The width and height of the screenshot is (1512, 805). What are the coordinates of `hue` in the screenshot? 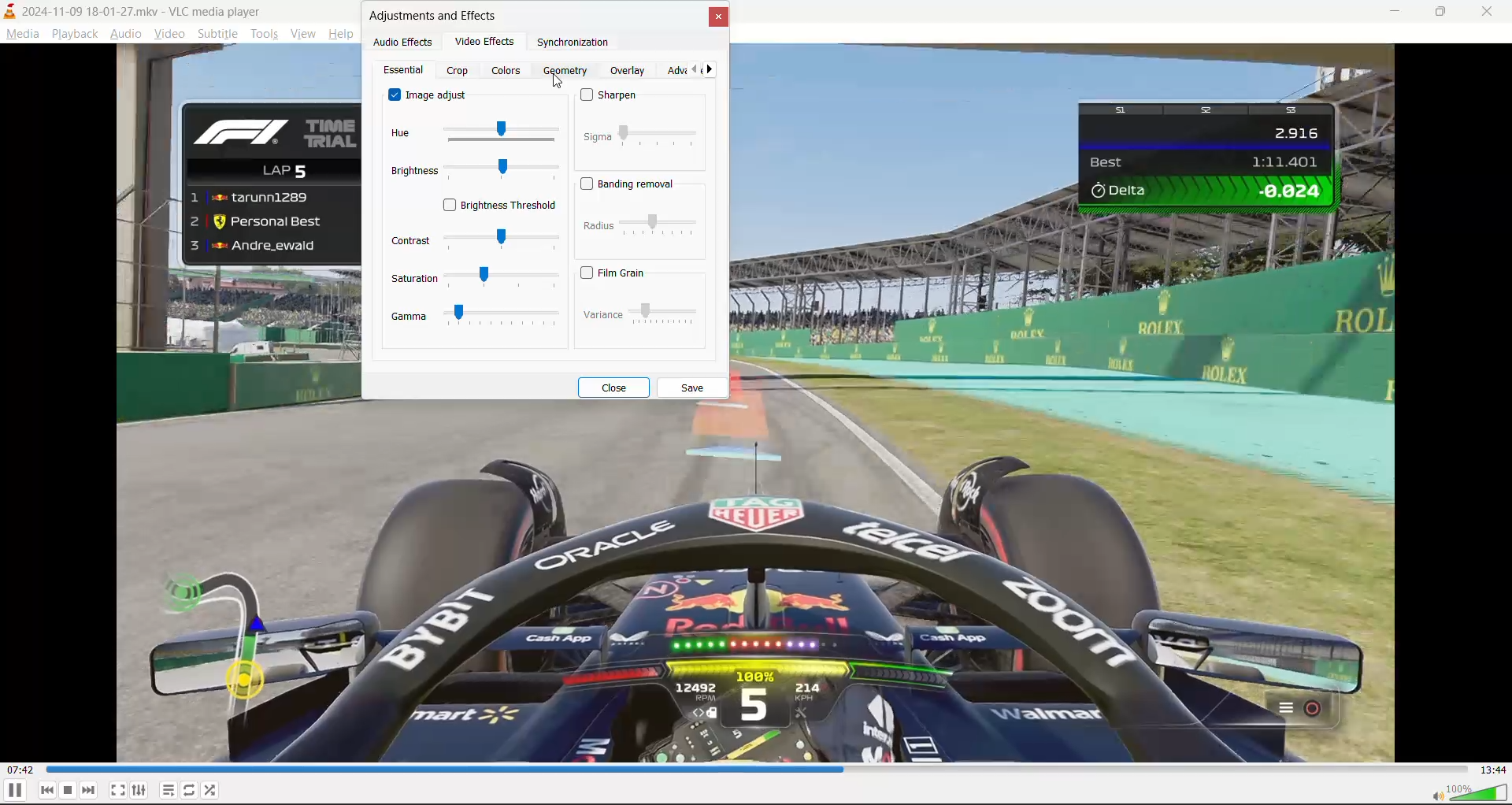 It's located at (472, 135).